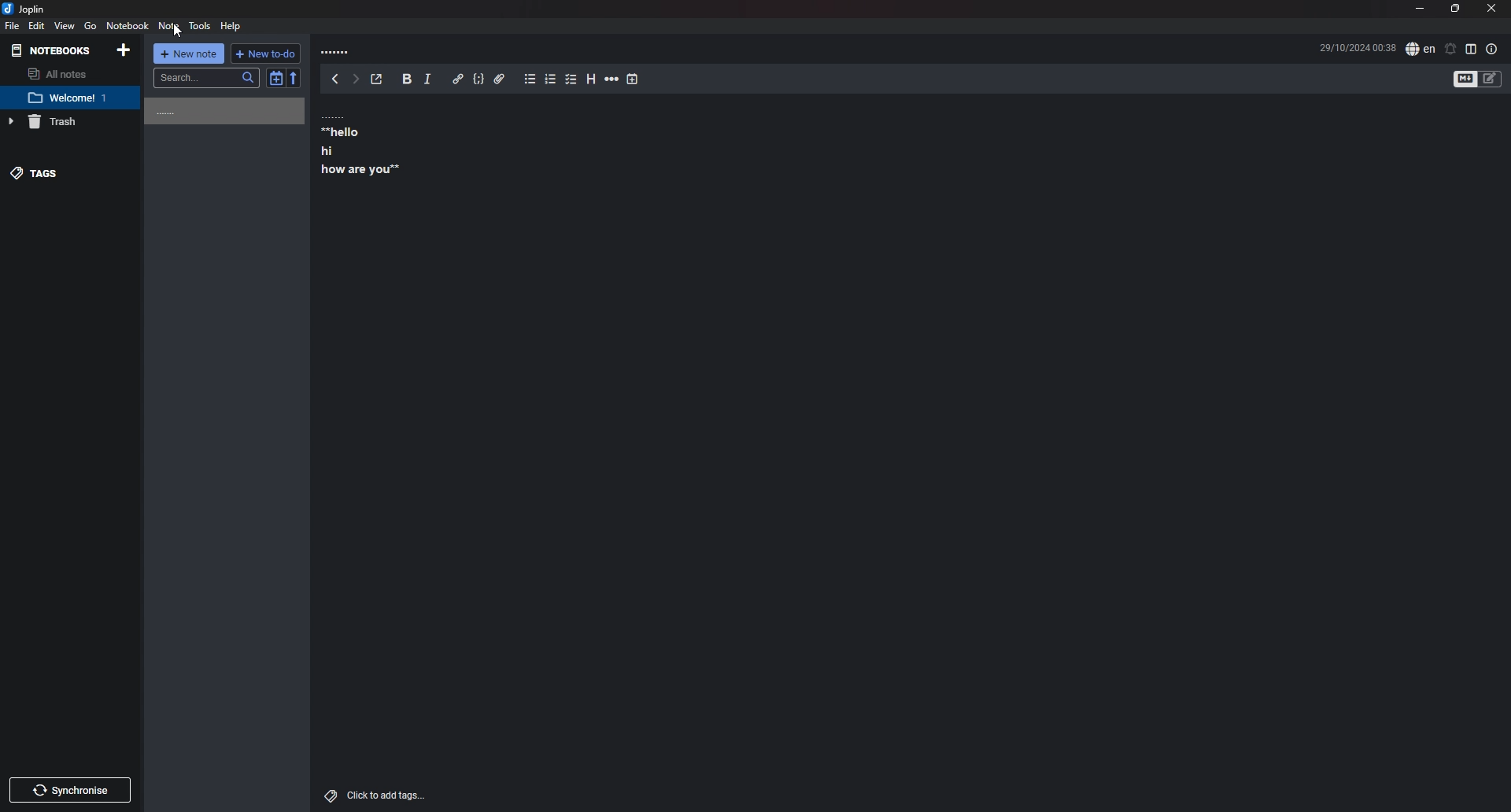 Image resolution: width=1511 pixels, height=812 pixels. Describe the element at coordinates (379, 795) in the screenshot. I see `add tags` at that location.